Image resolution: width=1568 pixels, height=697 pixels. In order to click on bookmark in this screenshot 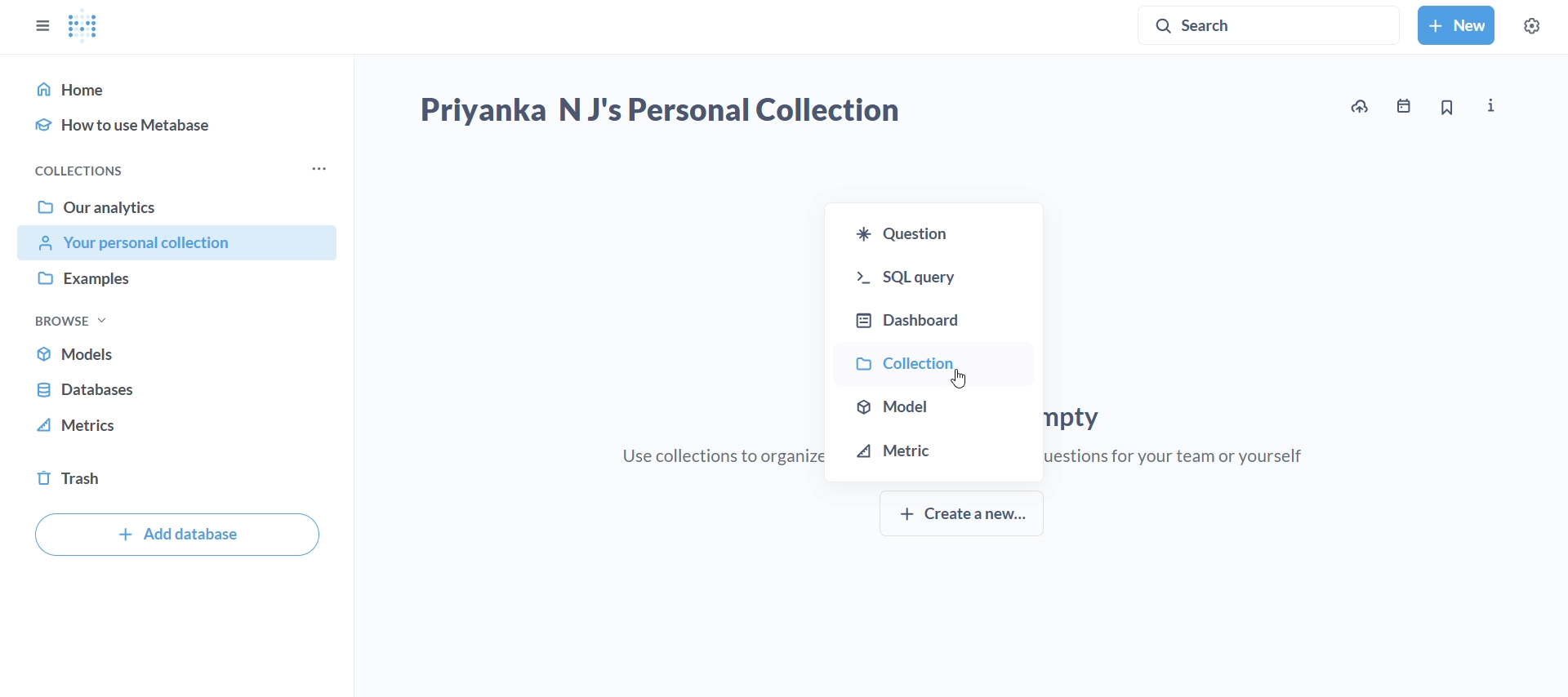, I will do `click(1448, 109)`.